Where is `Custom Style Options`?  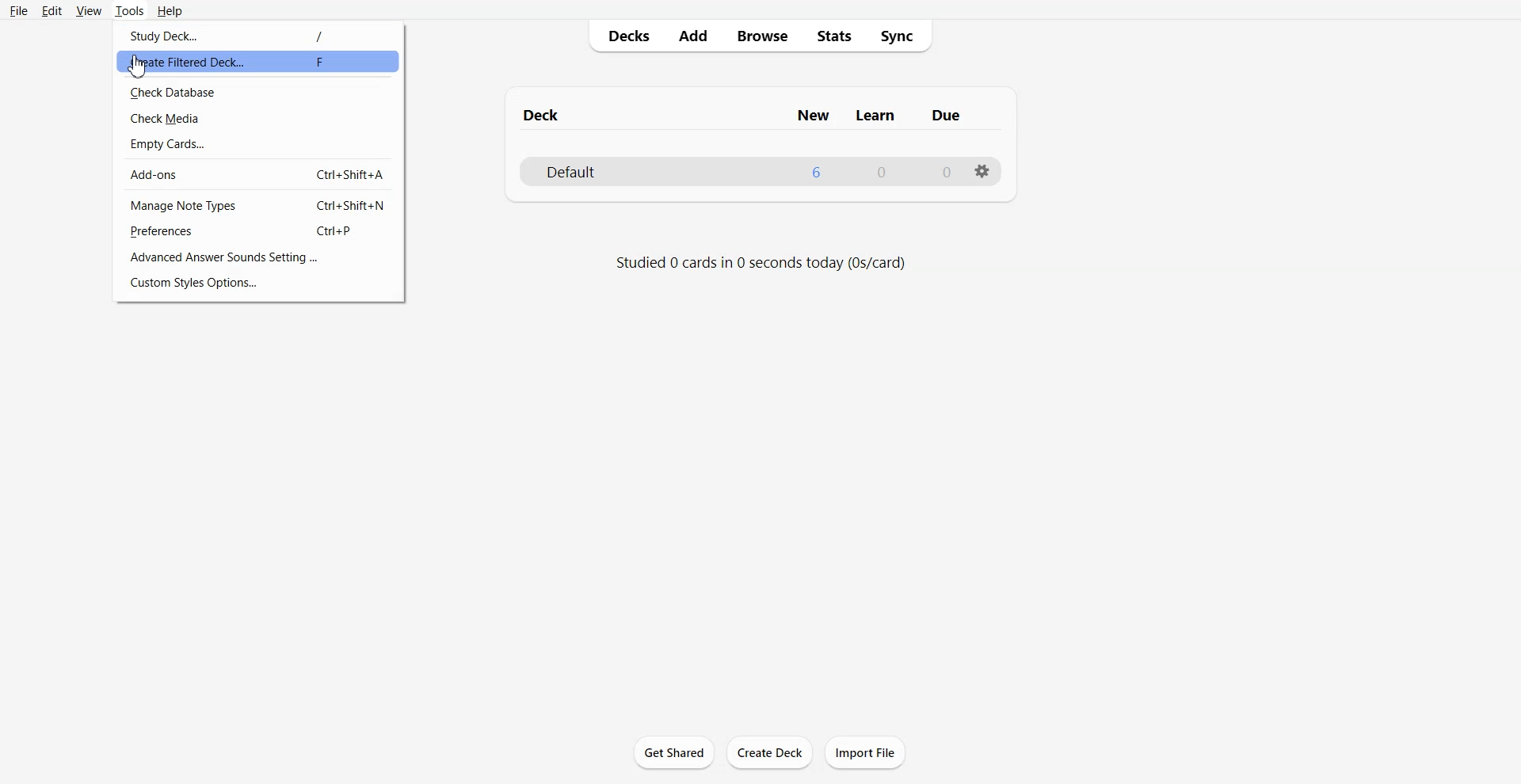 Custom Style Options is located at coordinates (260, 283).